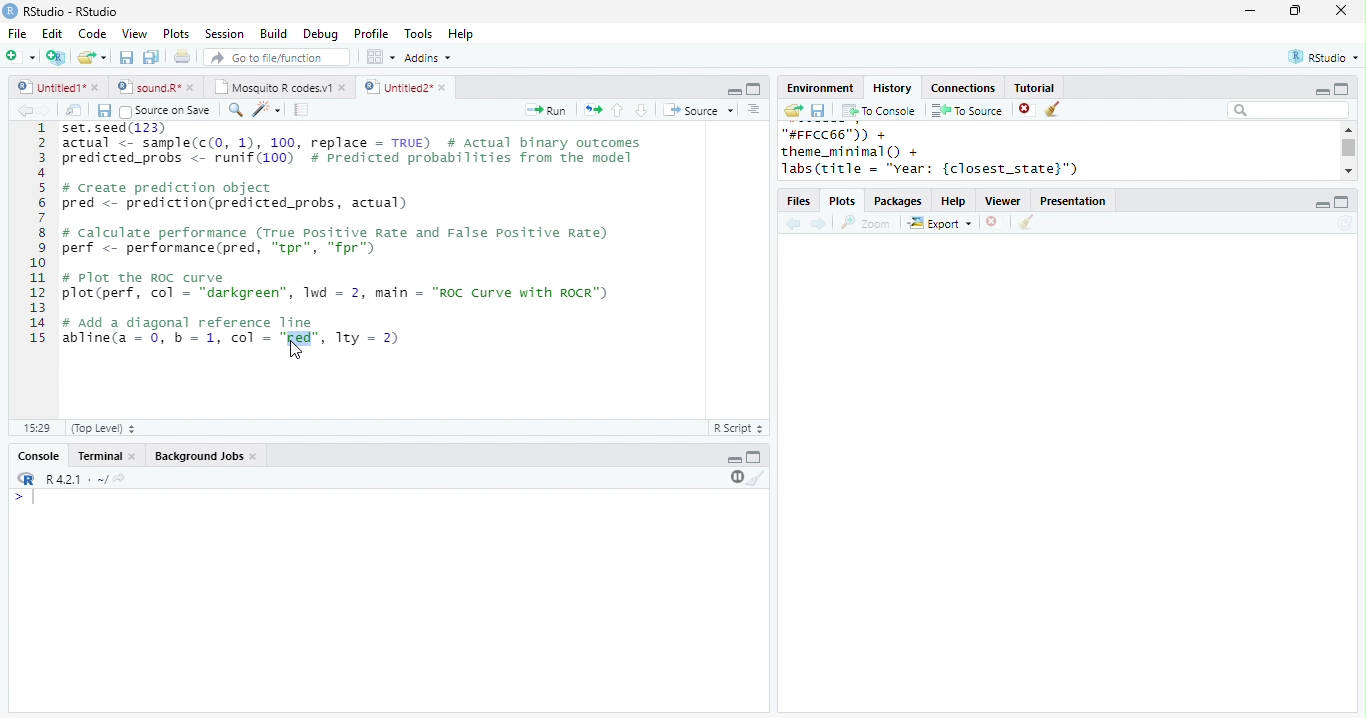 The image size is (1366, 718). Describe the element at coordinates (177, 33) in the screenshot. I see `Plots` at that location.